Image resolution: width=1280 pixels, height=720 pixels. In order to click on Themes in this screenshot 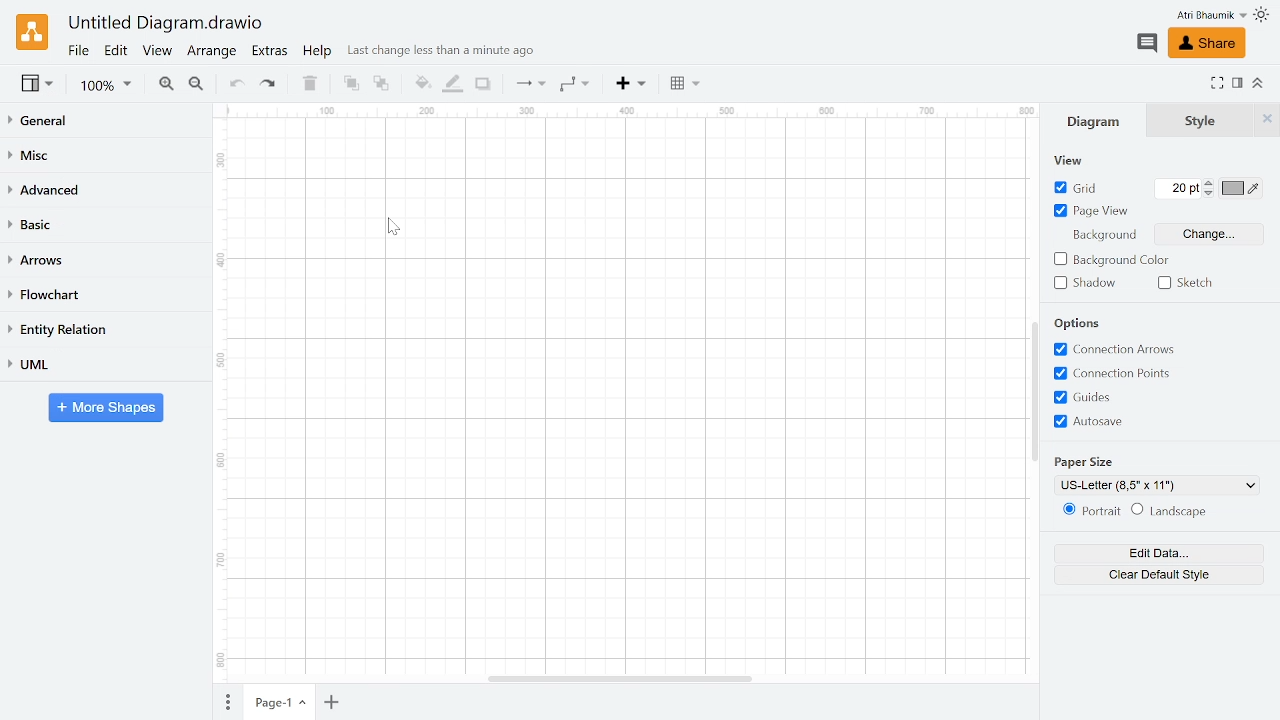, I will do `click(1262, 17)`.